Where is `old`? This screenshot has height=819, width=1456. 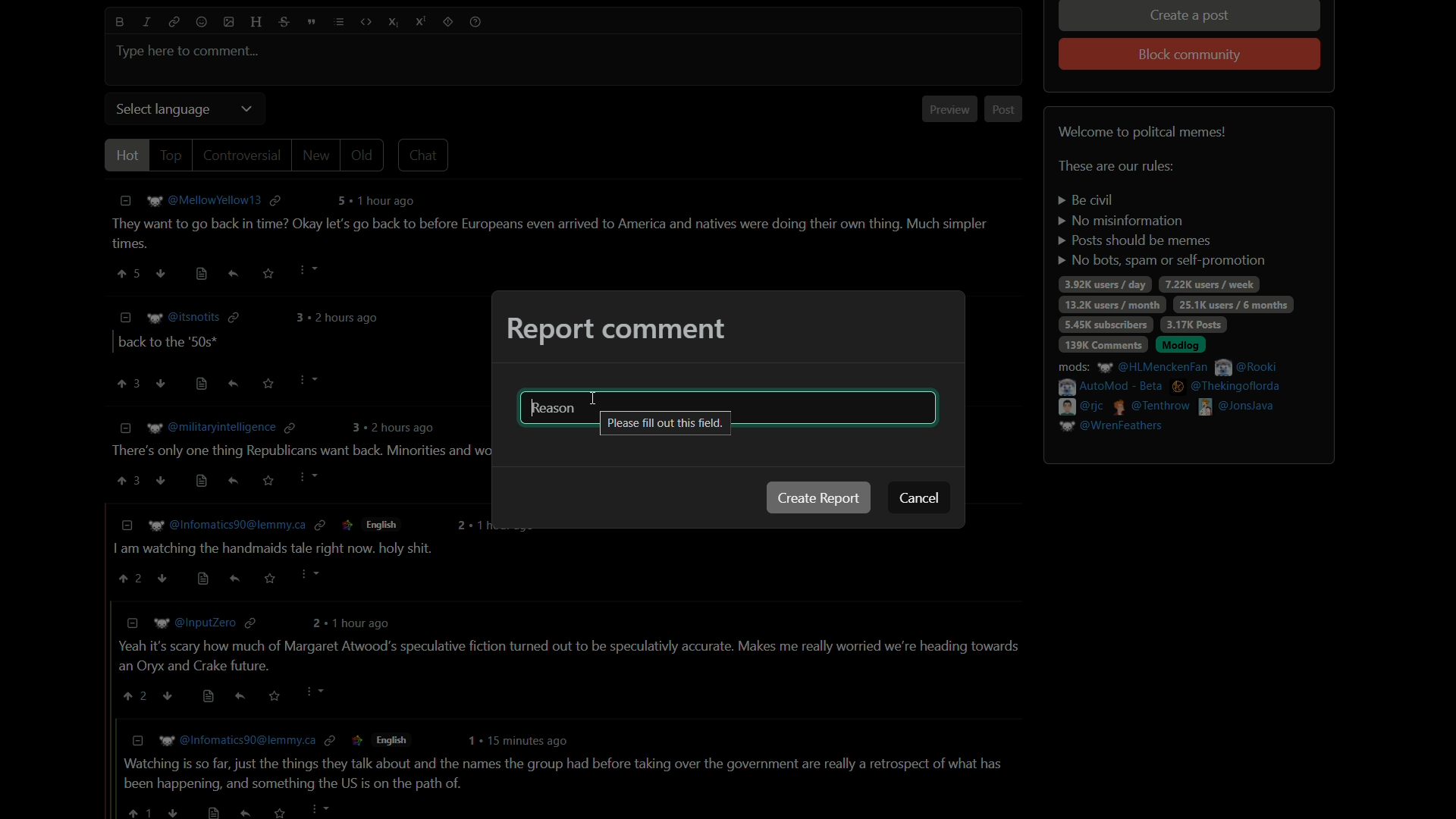 old is located at coordinates (365, 155).